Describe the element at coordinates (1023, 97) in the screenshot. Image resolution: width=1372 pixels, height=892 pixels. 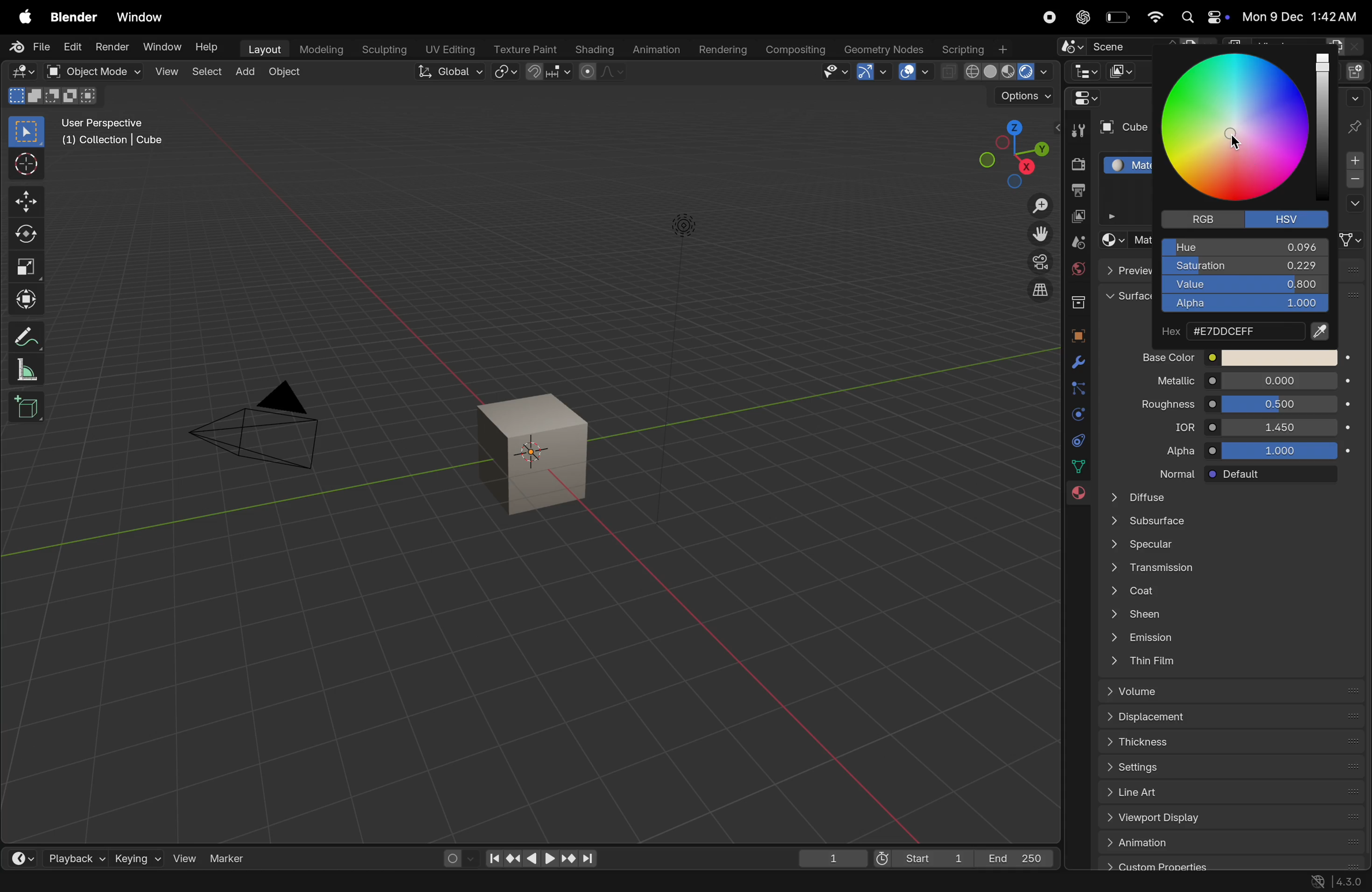
I see `options` at that location.